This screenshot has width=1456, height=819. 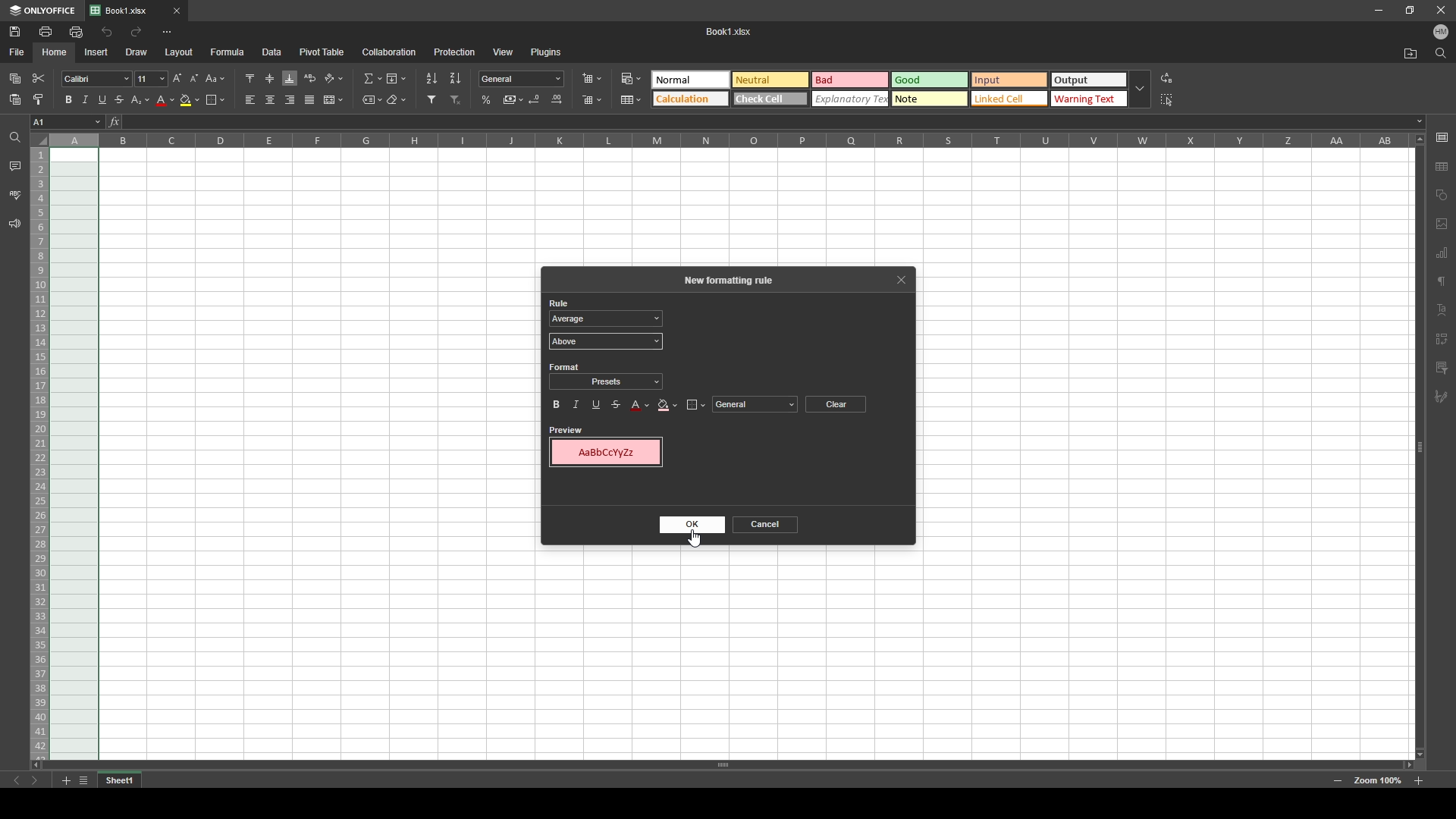 What do you see at coordinates (1441, 137) in the screenshot?
I see `cells setting` at bounding box center [1441, 137].